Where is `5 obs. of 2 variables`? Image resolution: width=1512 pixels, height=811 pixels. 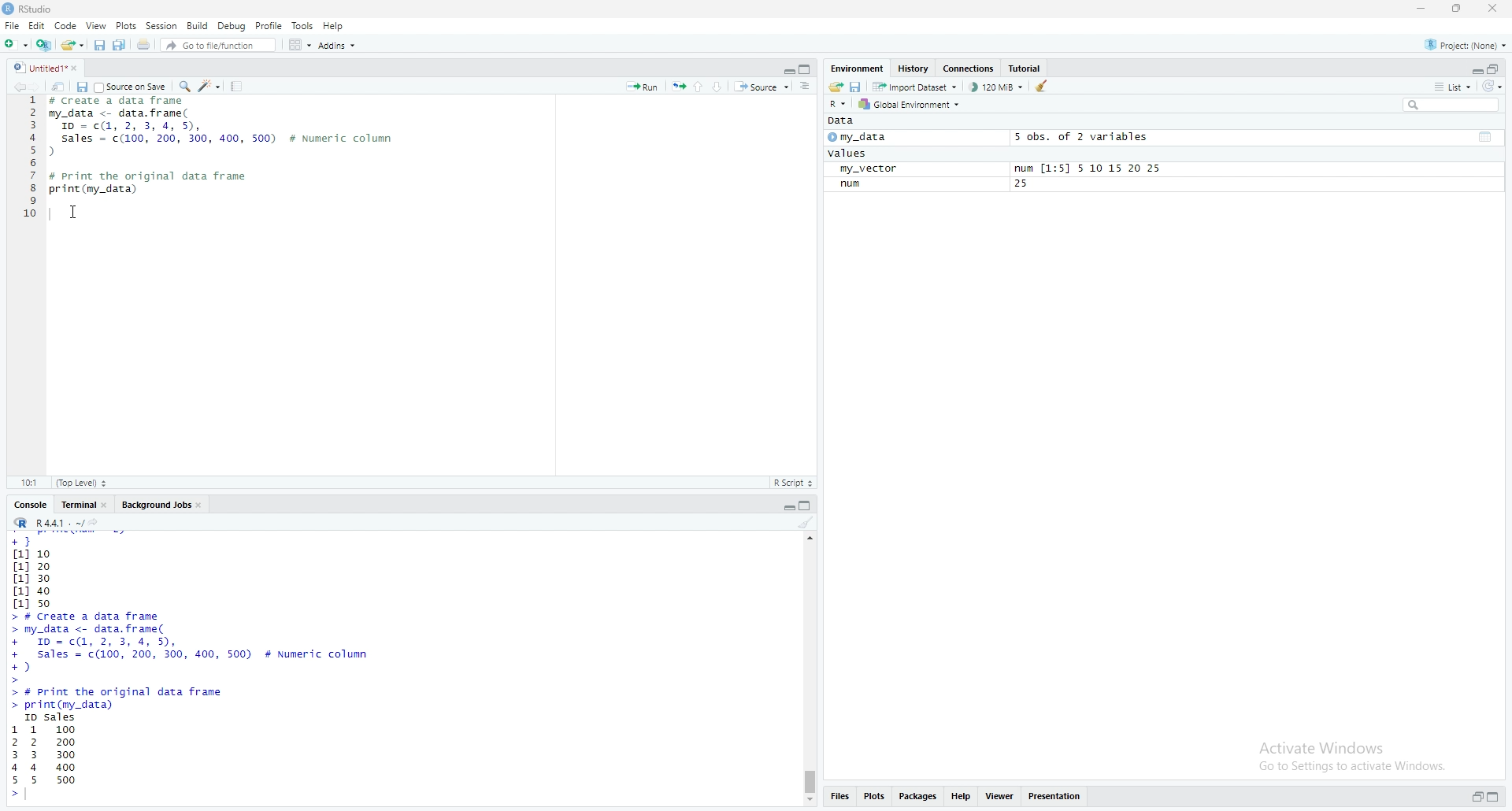 5 obs. of 2 variables is located at coordinates (1085, 137).